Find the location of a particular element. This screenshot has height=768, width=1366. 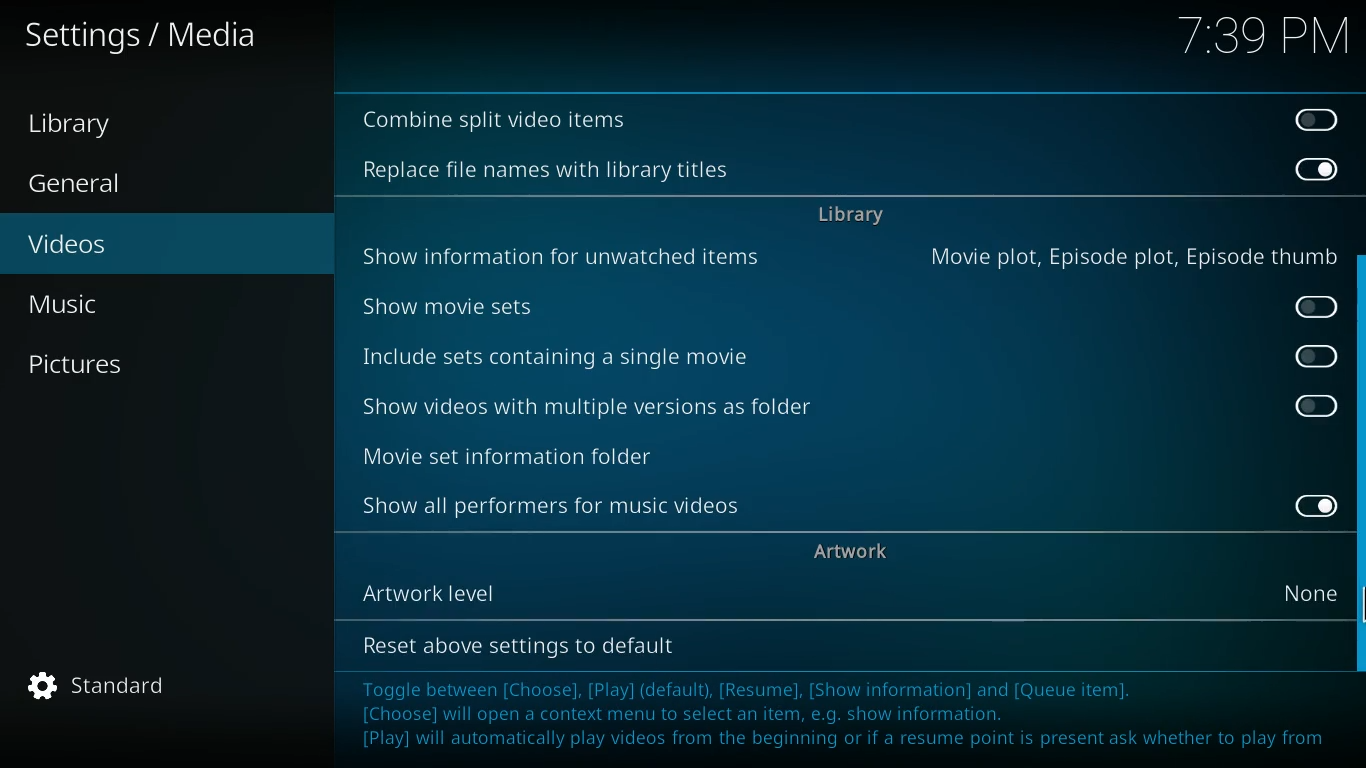

movie set information is located at coordinates (567, 453).